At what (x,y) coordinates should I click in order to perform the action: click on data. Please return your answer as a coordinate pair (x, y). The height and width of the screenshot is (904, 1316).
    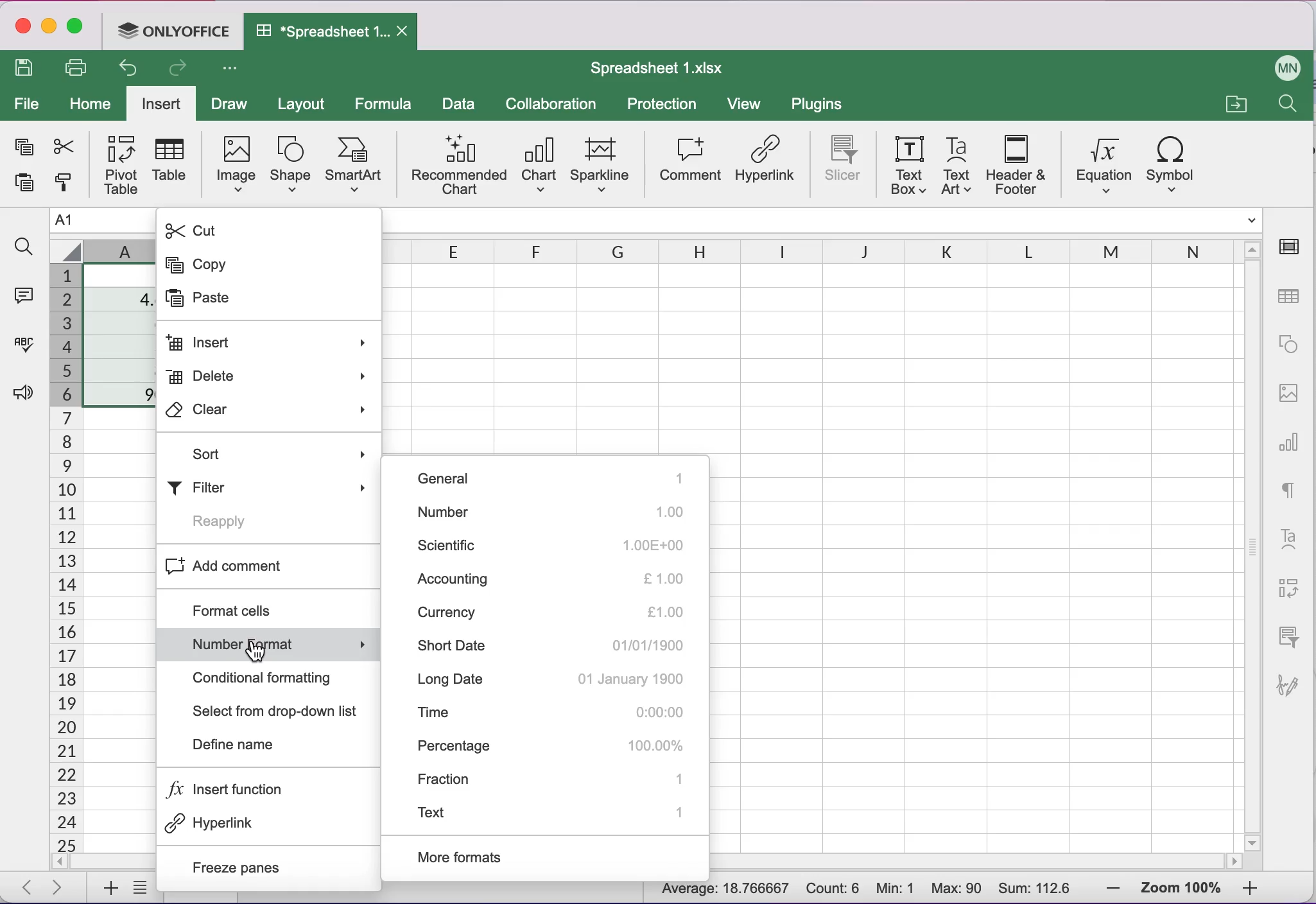
    Looking at the image, I should click on (460, 105).